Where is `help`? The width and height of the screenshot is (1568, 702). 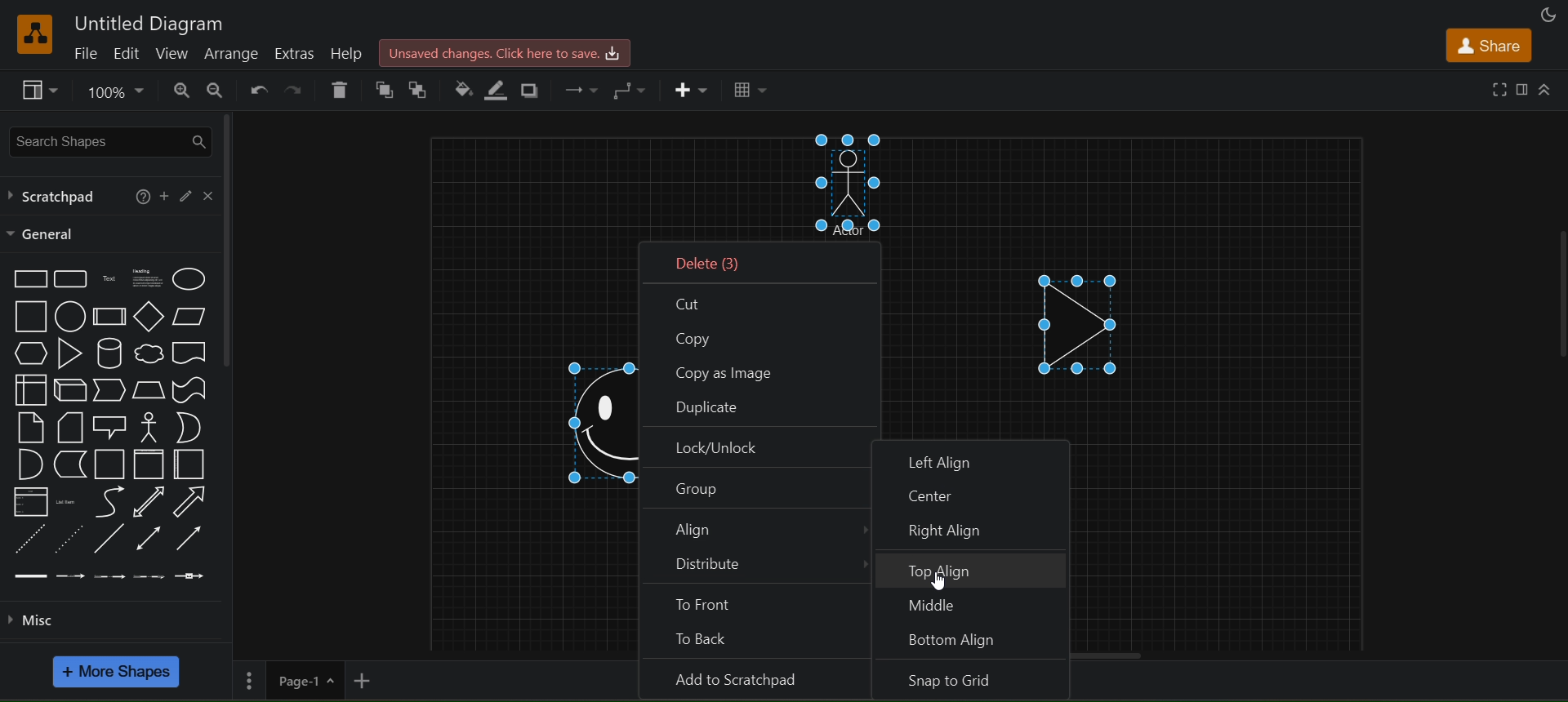 help is located at coordinates (140, 194).